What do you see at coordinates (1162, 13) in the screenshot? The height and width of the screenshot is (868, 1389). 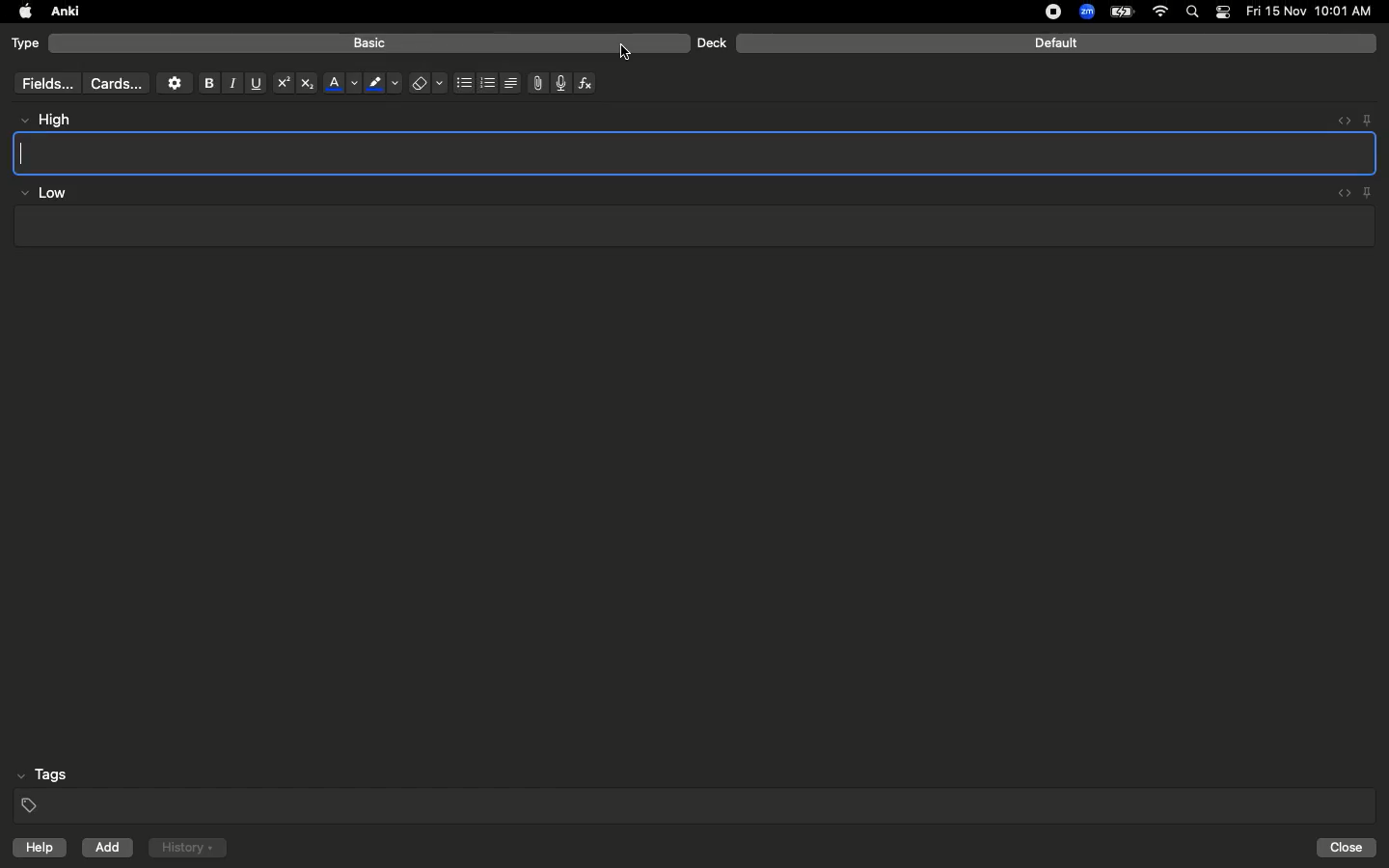 I see `Internet` at bounding box center [1162, 13].